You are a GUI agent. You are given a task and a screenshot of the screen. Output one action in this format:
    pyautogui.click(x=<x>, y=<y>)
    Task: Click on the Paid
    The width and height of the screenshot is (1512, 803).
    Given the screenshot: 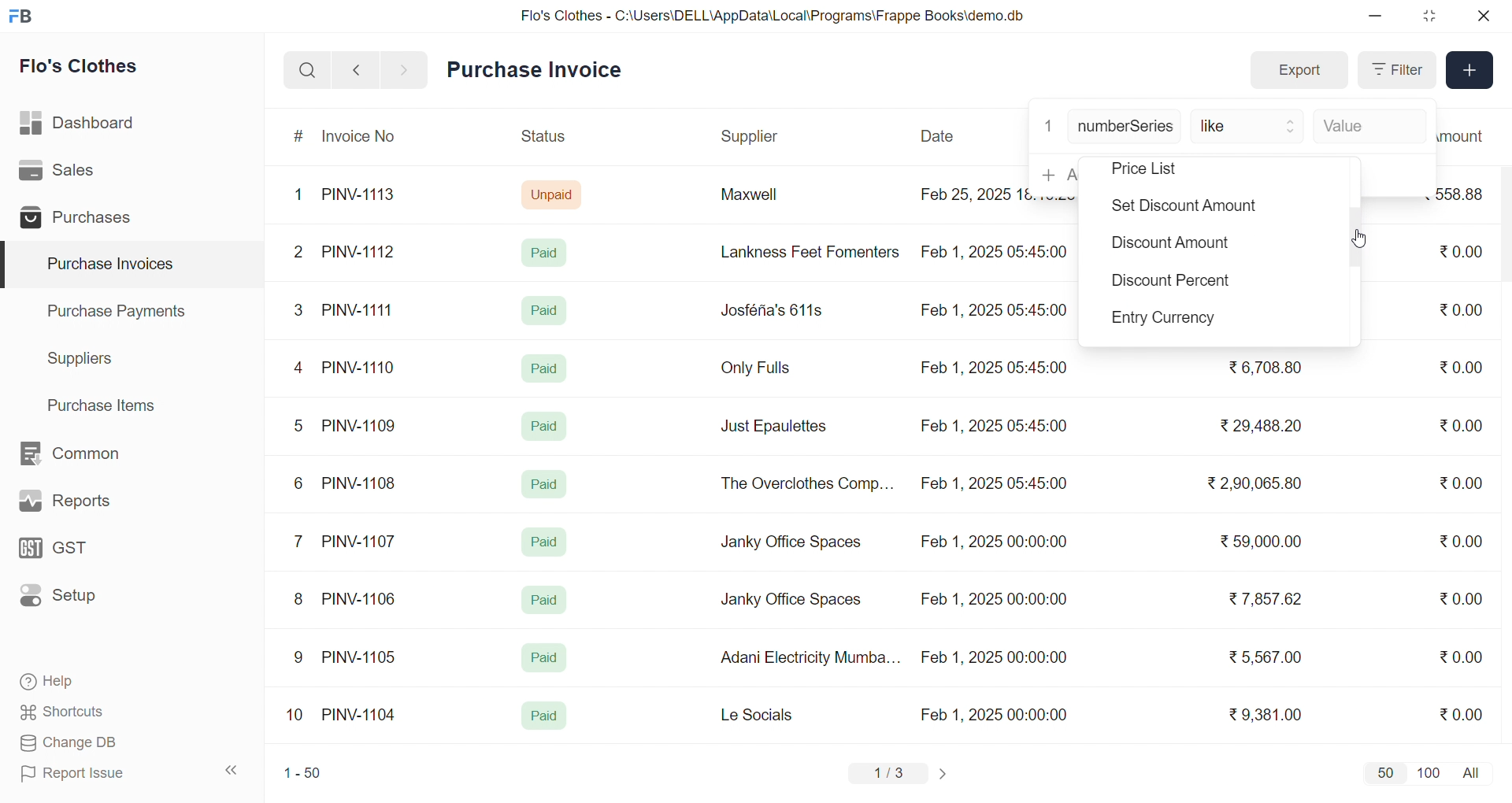 What is the action you would take?
    pyautogui.click(x=543, y=367)
    